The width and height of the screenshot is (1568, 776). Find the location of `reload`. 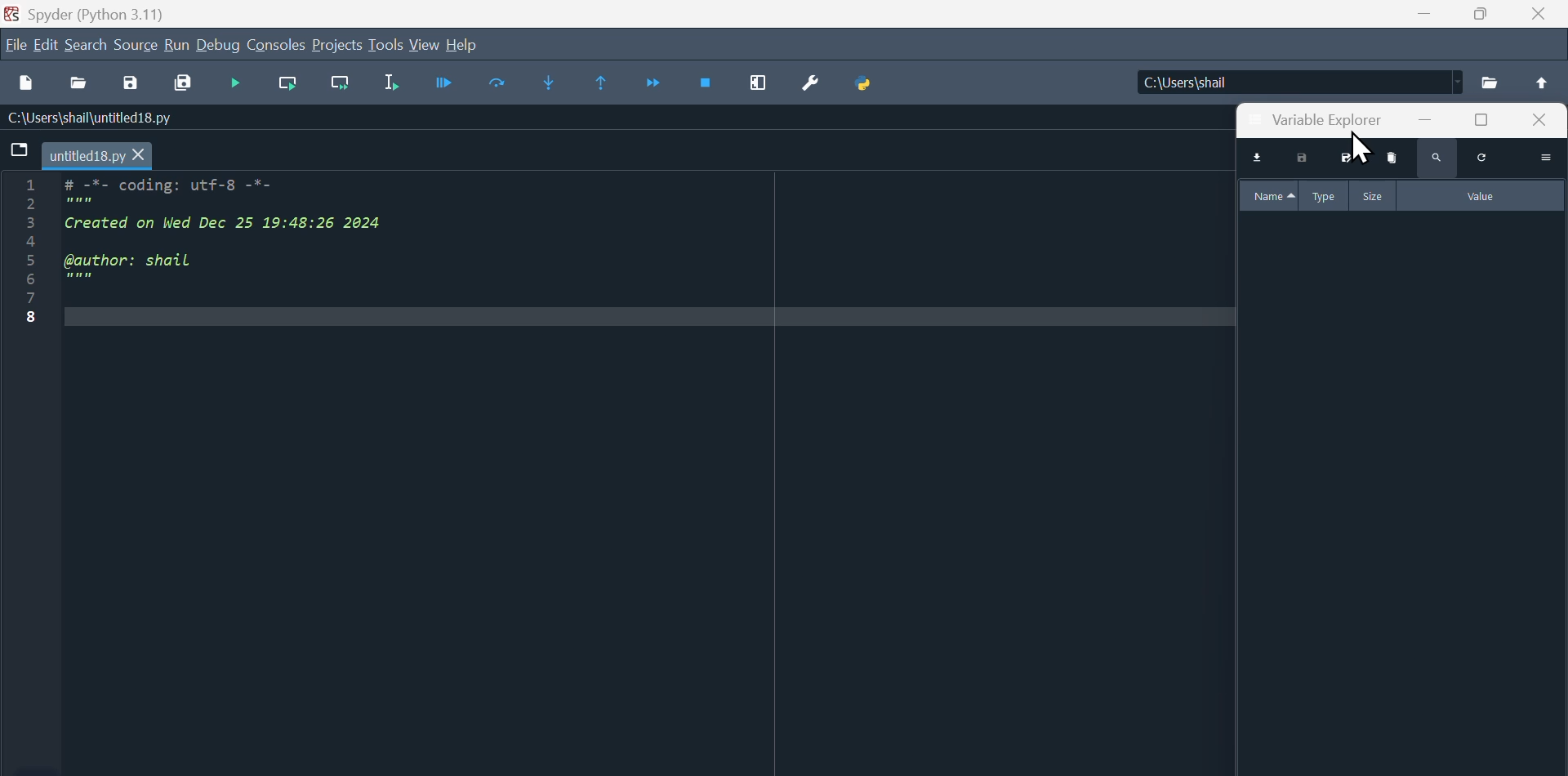

reload is located at coordinates (1486, 159).